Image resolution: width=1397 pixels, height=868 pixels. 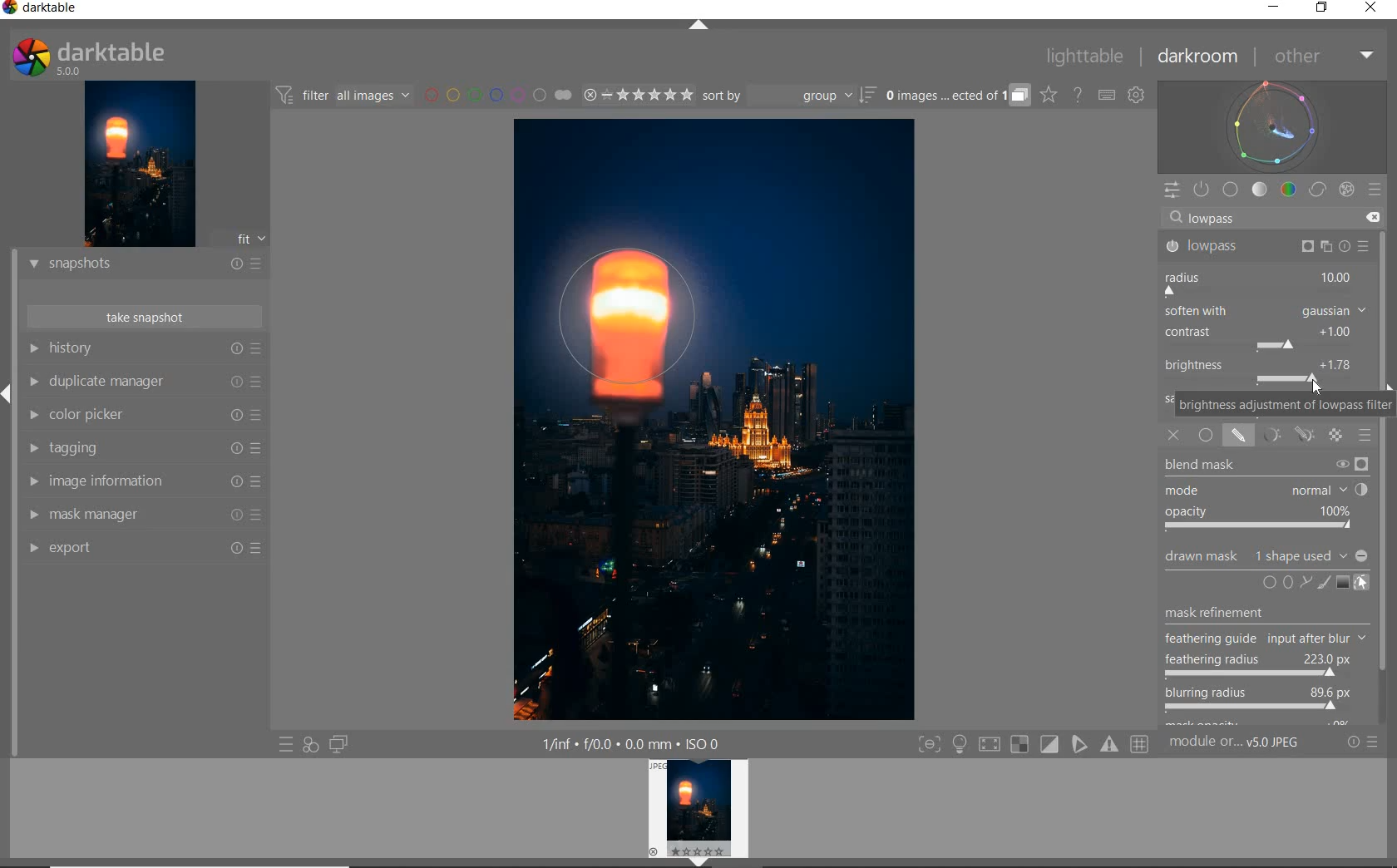 What do you see at coordinates (1232, 190) in the screenshot?
I see `BASE` at bounding box center [1232, 190].